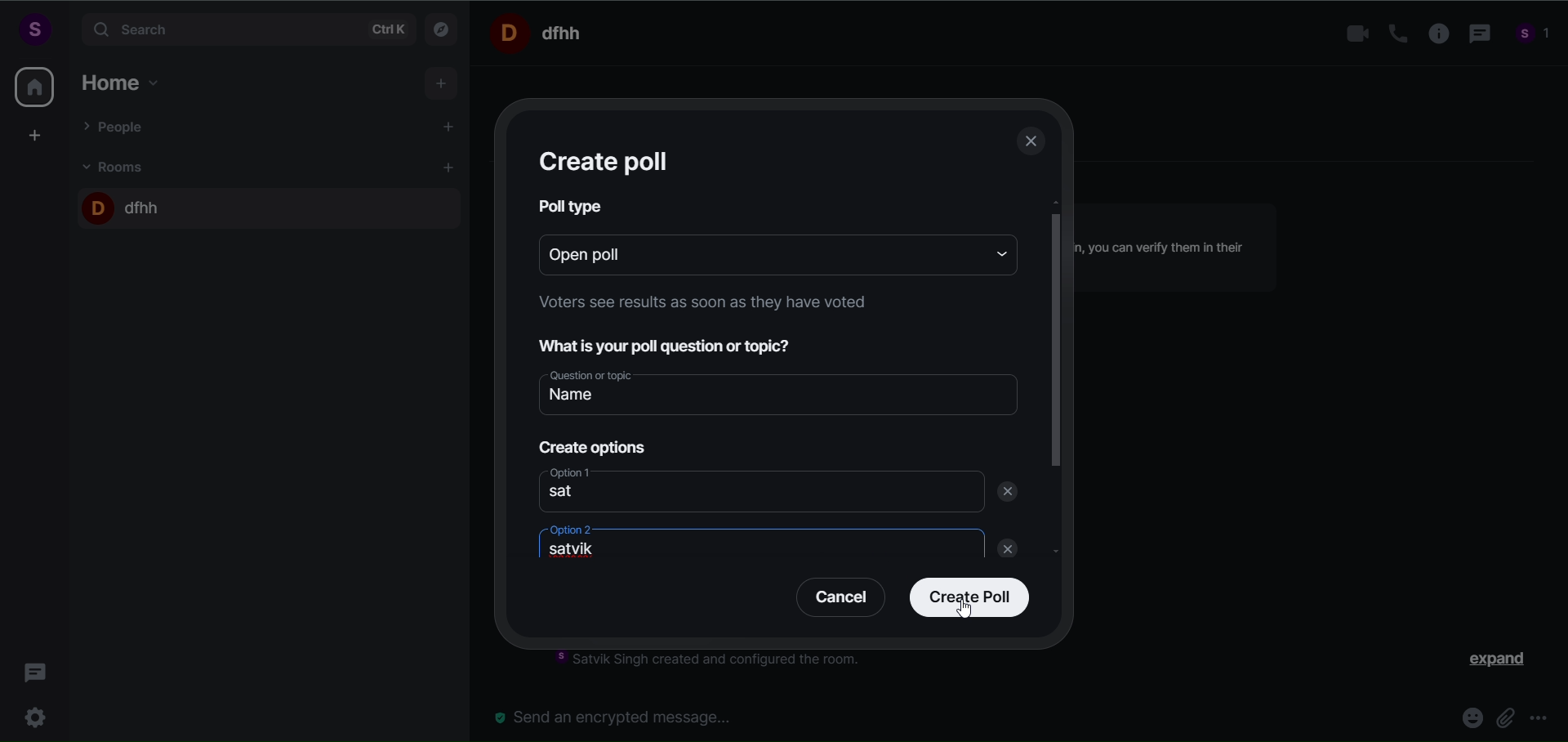  What do you see at coordinates (1057, 413) in the screenshot?
I see `Scroll bar` at bounding box center [1057, 413].